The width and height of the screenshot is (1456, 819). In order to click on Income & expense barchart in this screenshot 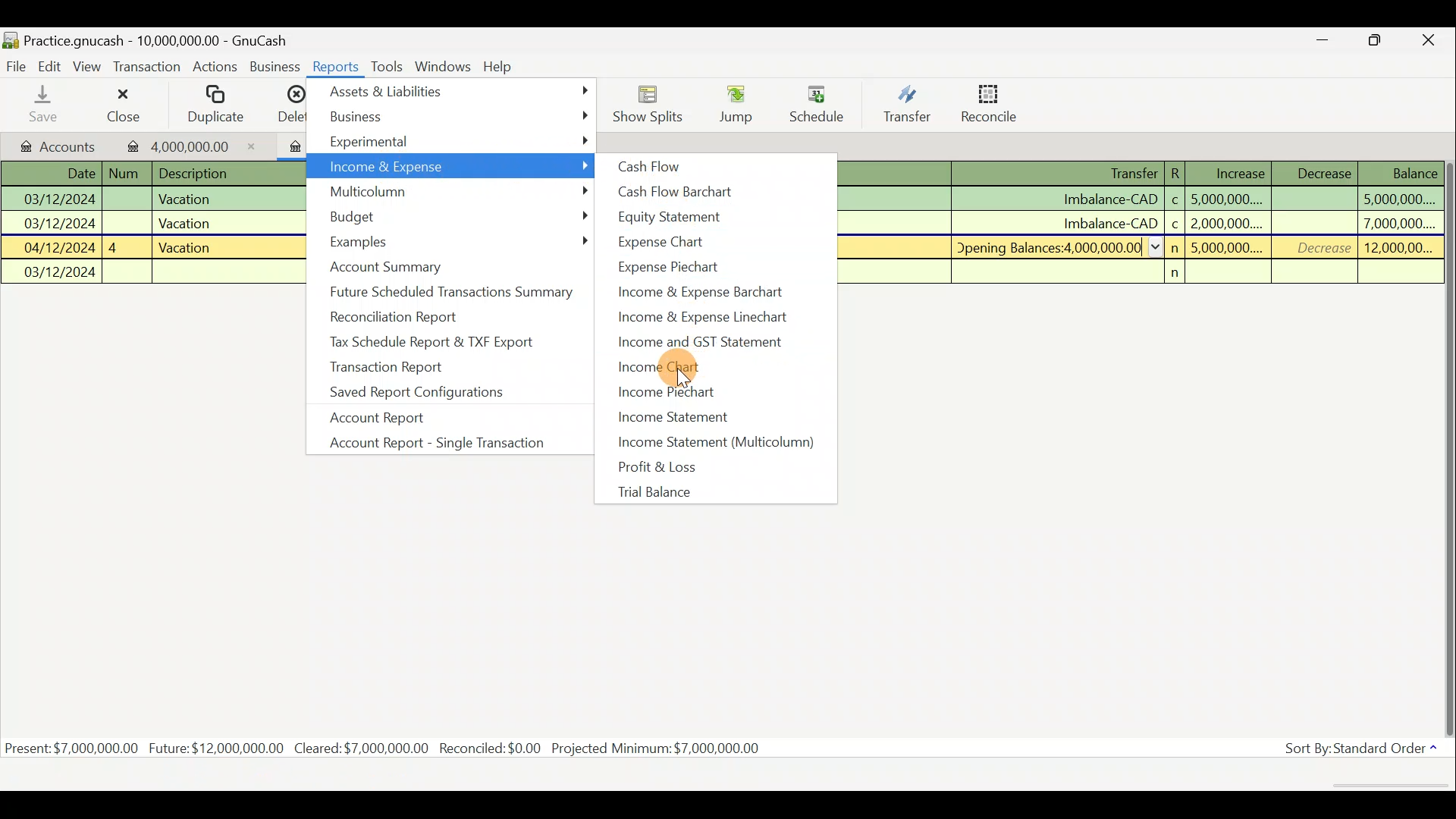, I will do `click(720, 291)`.